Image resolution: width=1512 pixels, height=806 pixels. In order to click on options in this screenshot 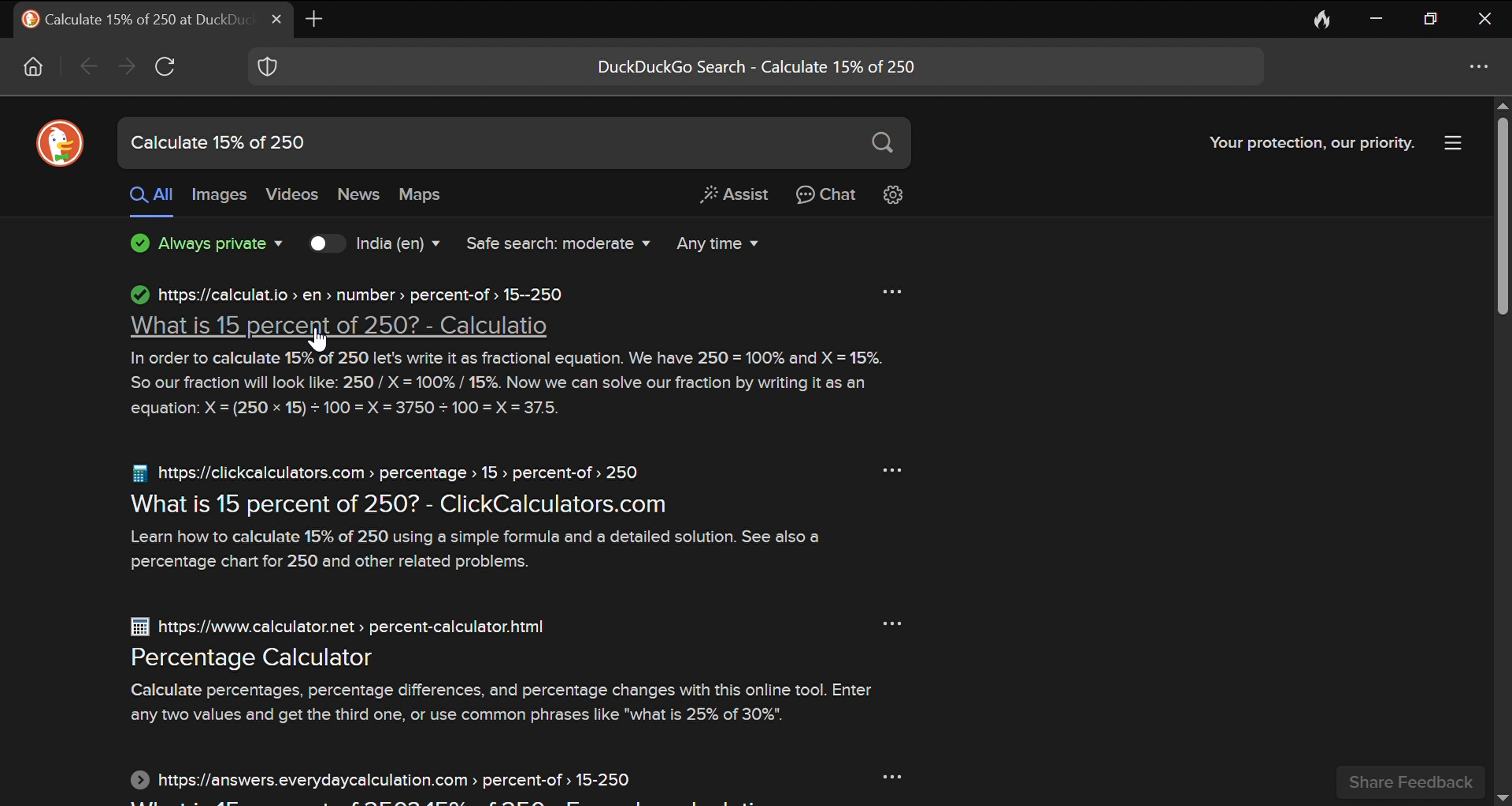, I will do `click(889, 289)`.